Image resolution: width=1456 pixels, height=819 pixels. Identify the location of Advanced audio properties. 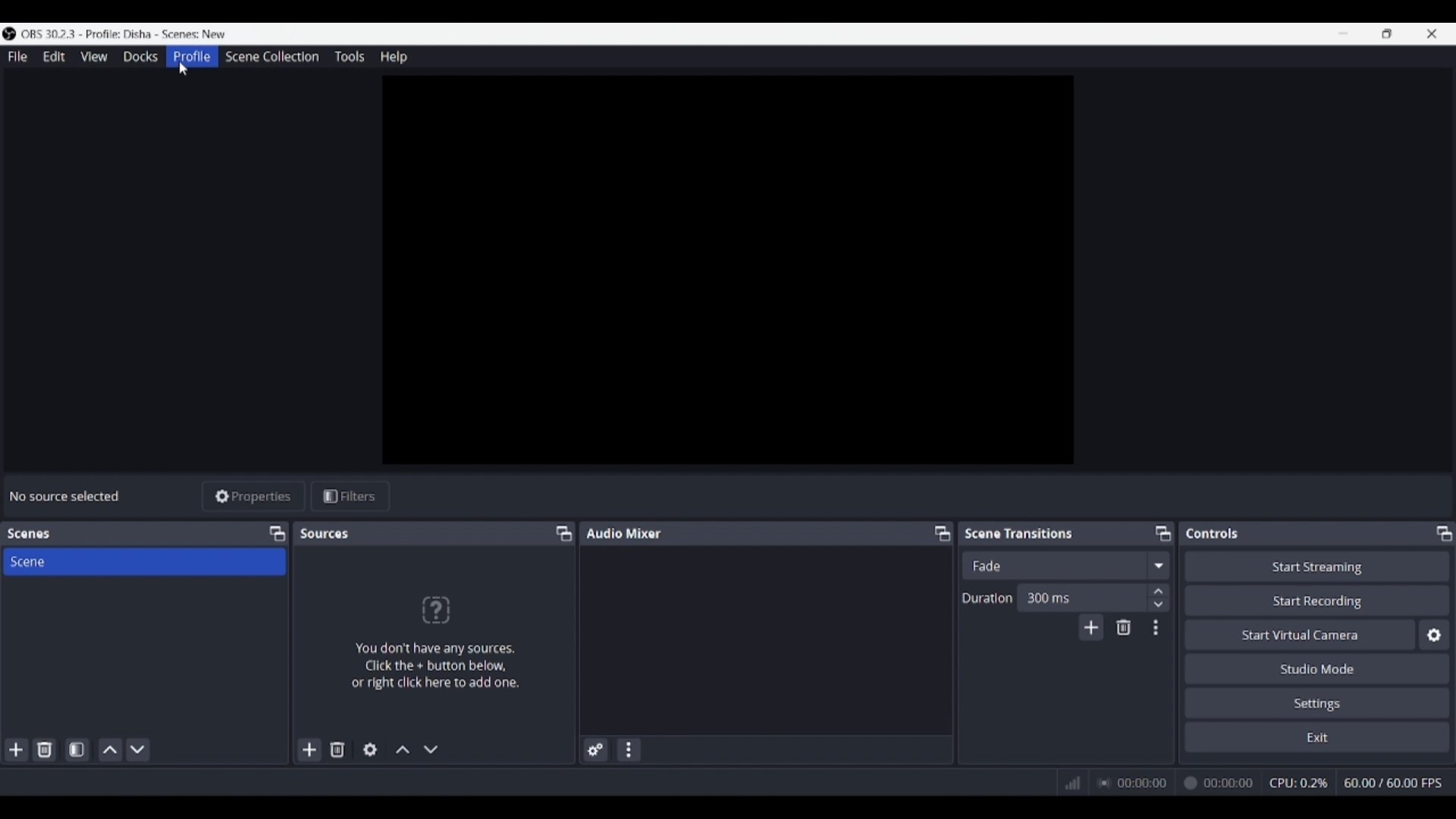
(595, 750).